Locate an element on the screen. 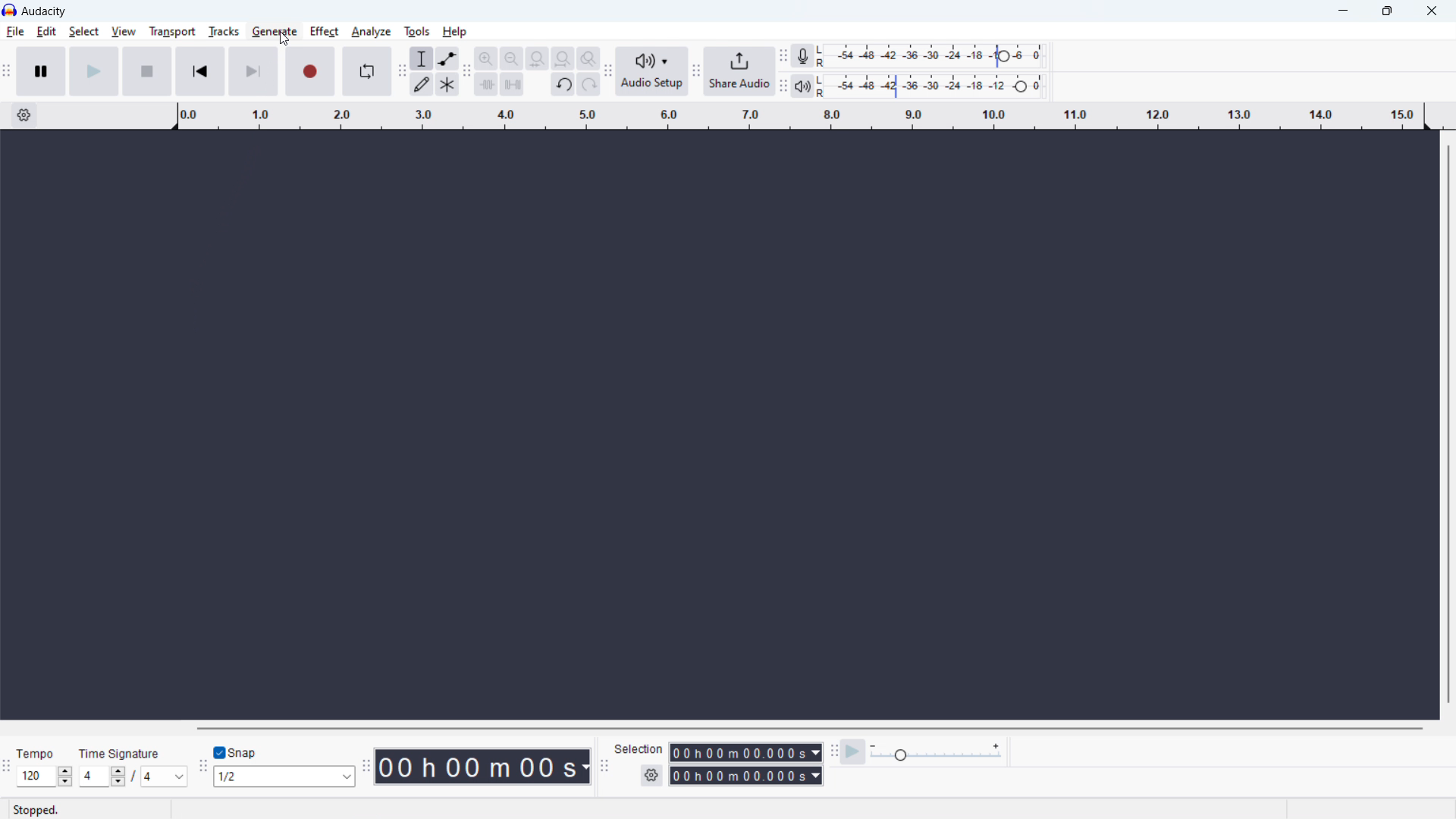 The image size is (1456, 819). recording meter toolbar is located at coordinates (783, 56).